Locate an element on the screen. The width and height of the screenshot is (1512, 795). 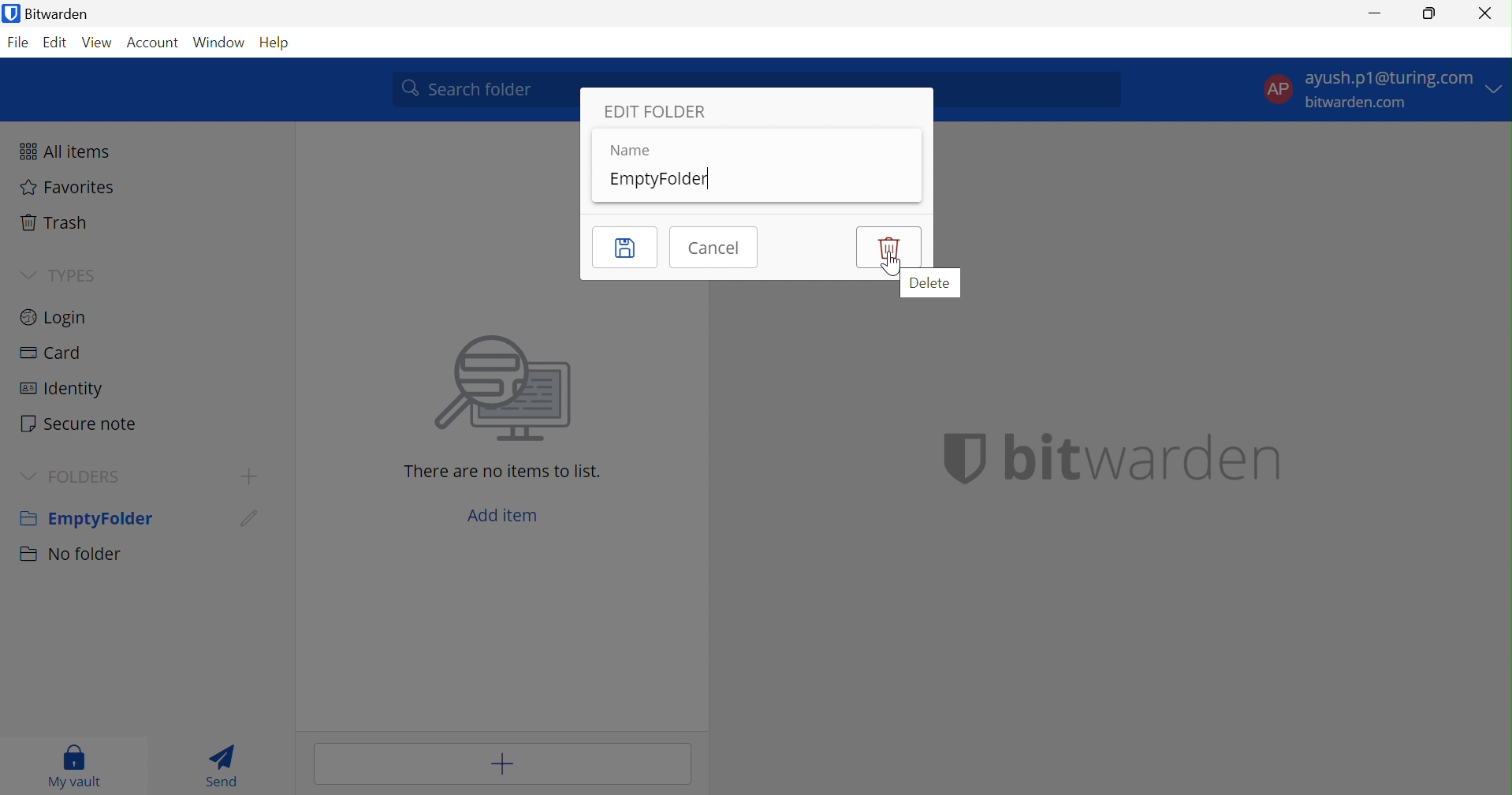
File is located at coordinates (17, 43).